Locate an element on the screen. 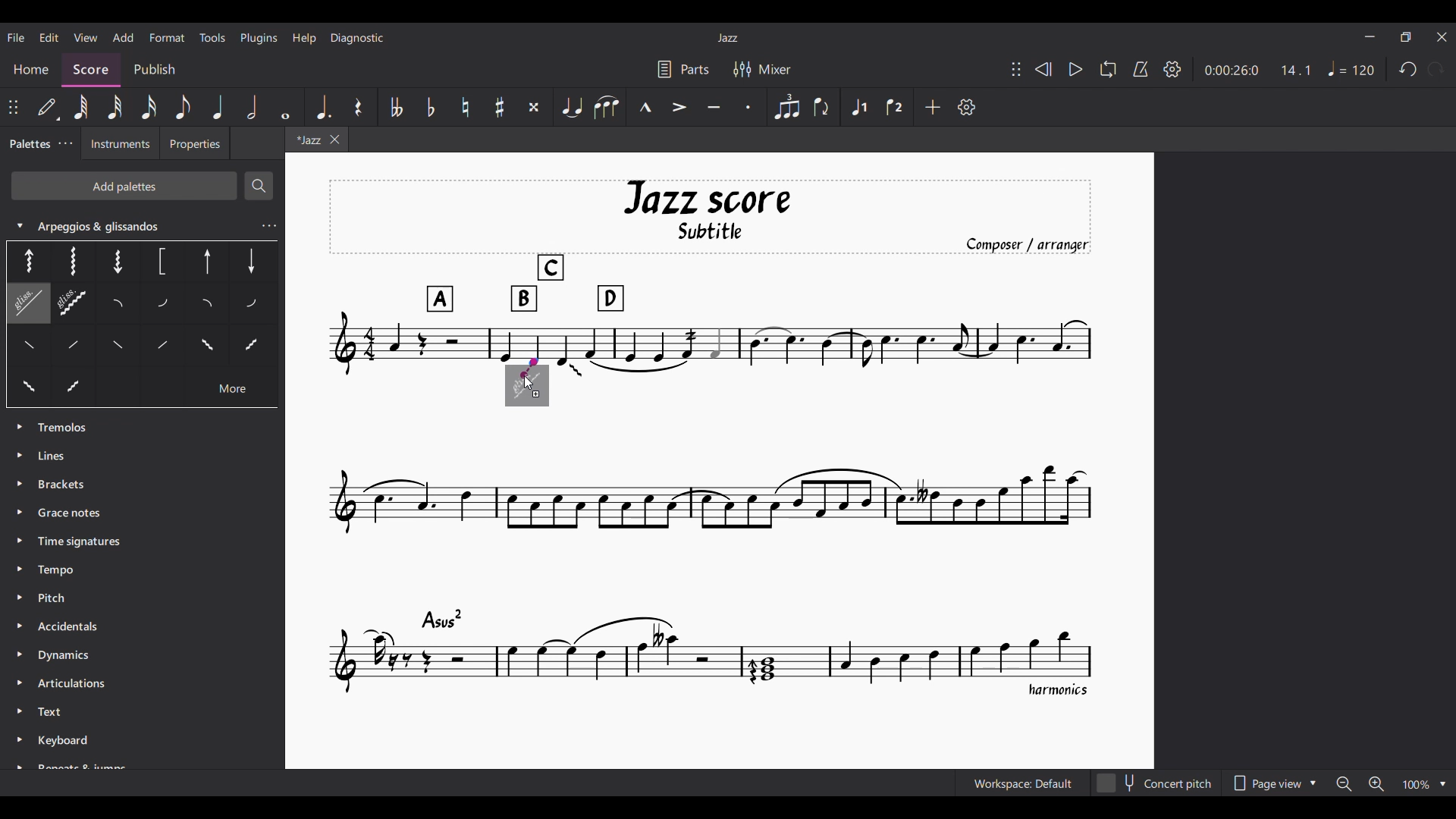 The width and height of the screenshot is (1456, 819). Toggle double sharp is located at coordinates (534, 107).